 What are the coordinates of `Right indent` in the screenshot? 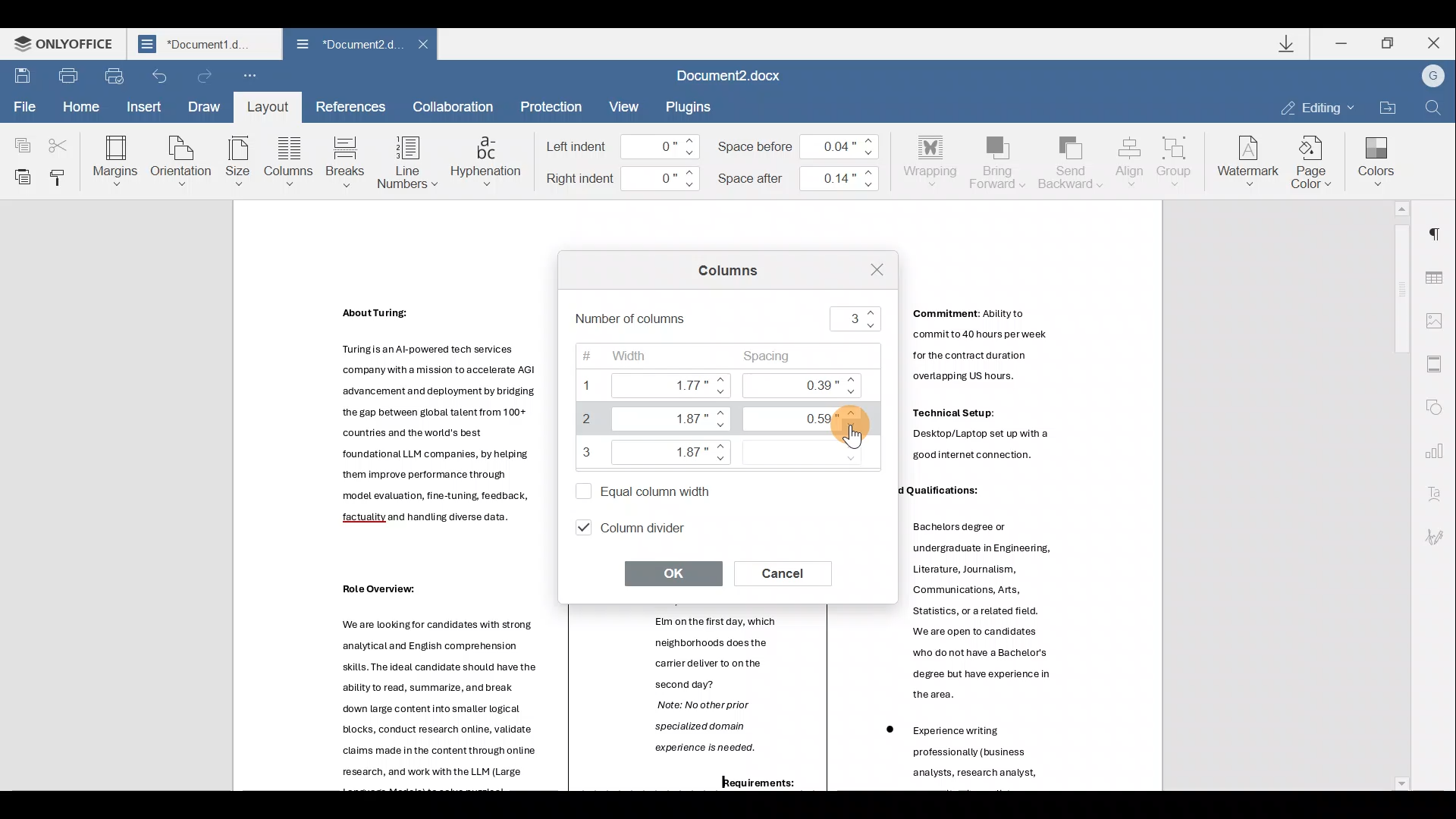 It's located at (623, 178).